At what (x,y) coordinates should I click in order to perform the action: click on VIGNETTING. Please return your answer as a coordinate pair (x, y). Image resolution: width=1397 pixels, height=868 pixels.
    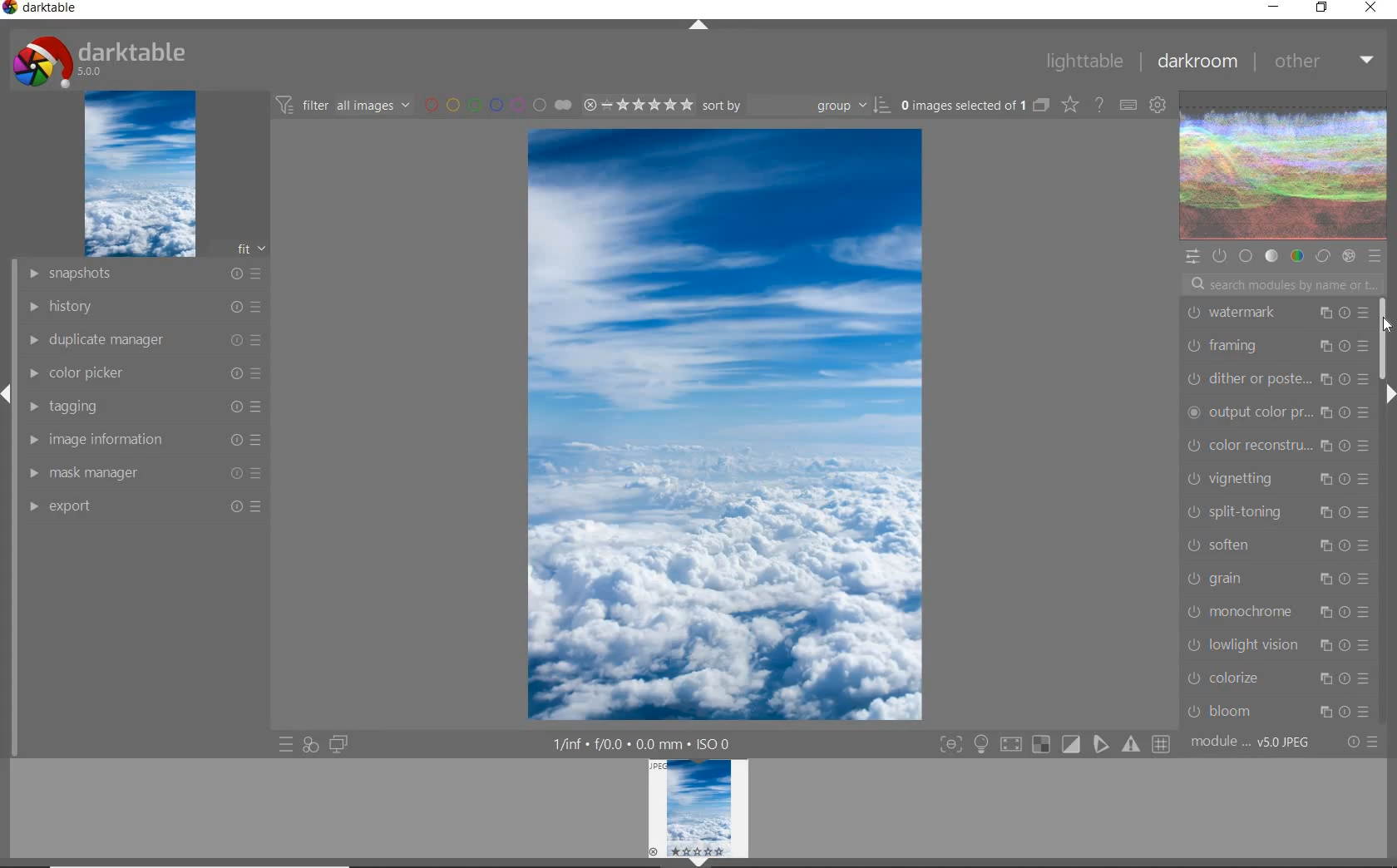
    Looking at the image, I should click on (1277, 477).